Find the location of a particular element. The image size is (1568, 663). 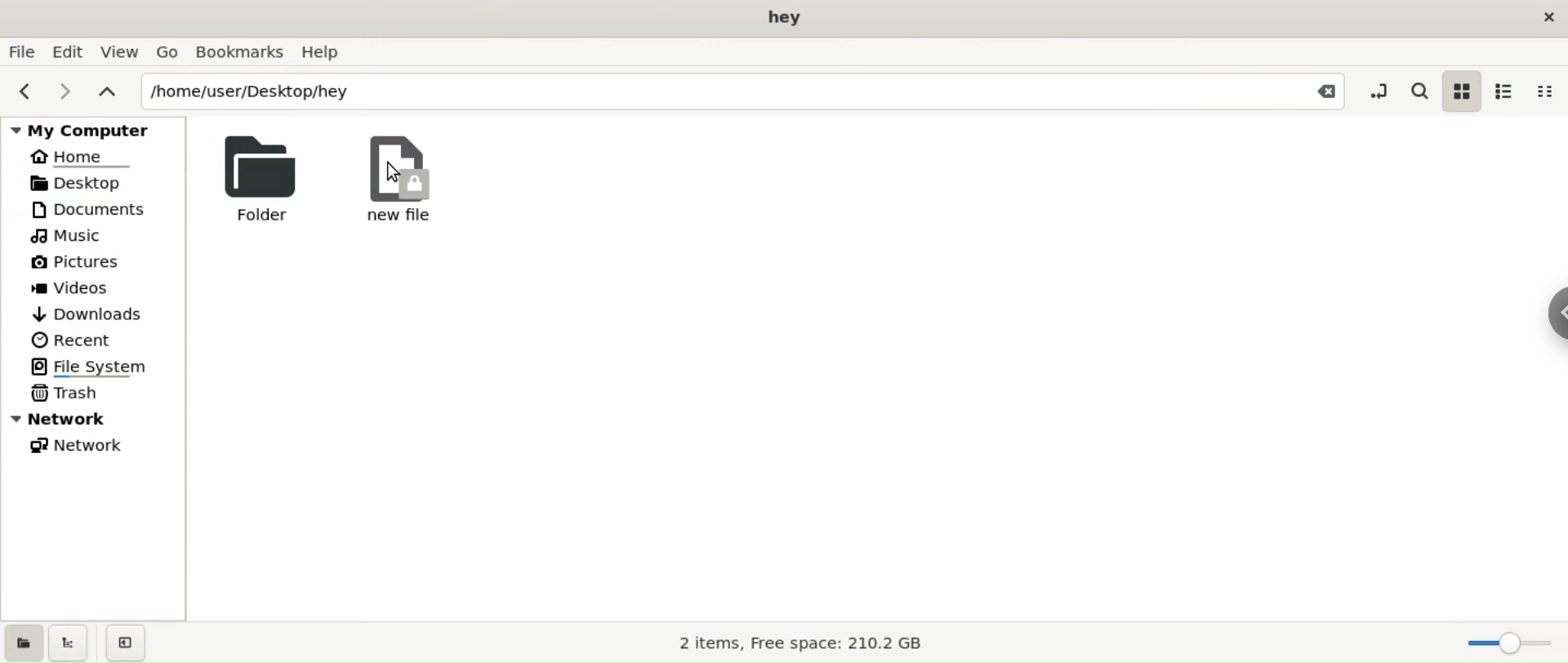

next is located at coordinates (65, 90).